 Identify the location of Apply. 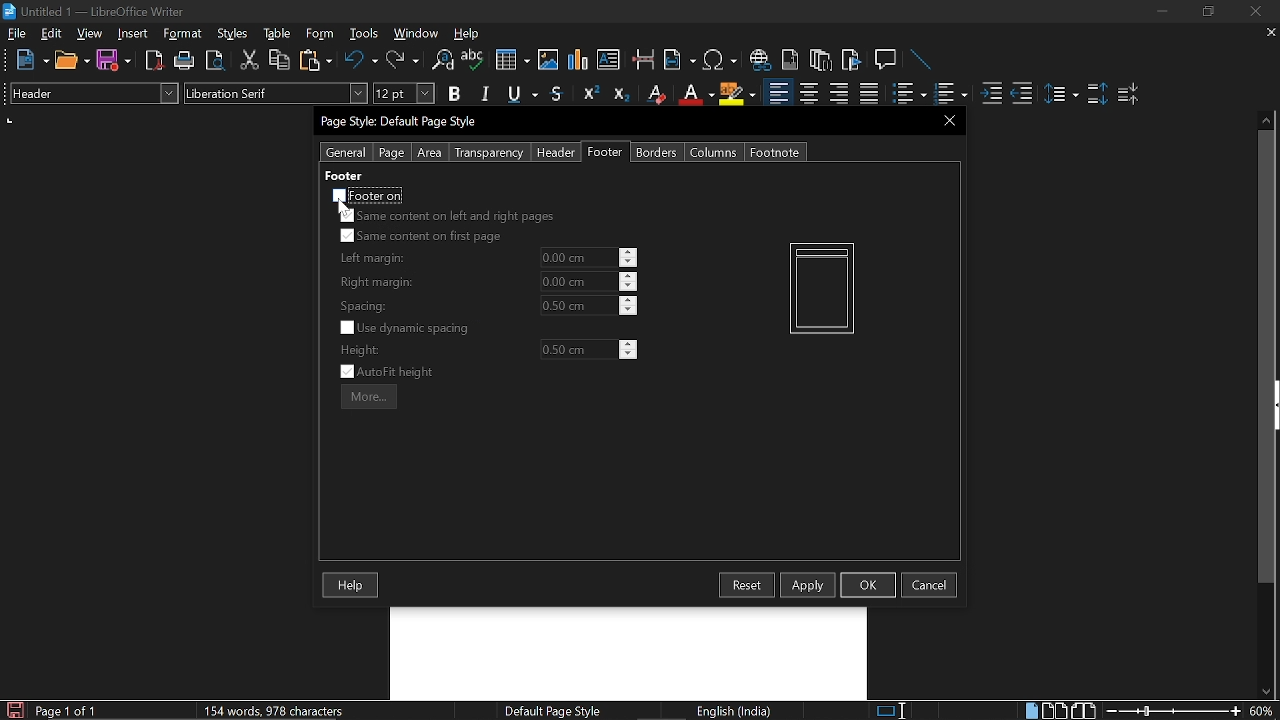
(808, 584).